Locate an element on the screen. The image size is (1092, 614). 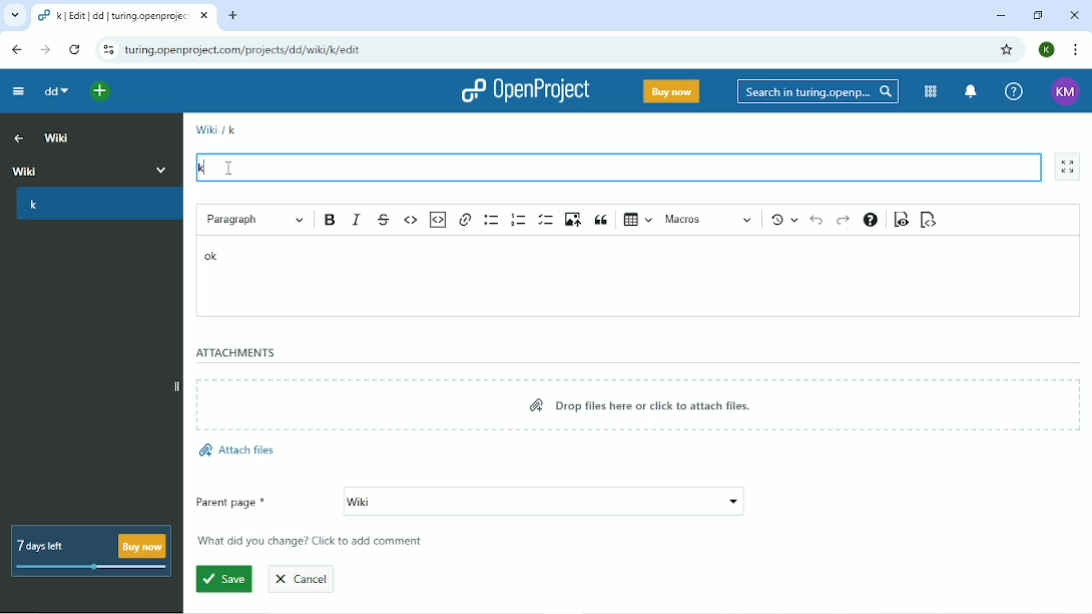
View site information is located at coordinates (106, 50).